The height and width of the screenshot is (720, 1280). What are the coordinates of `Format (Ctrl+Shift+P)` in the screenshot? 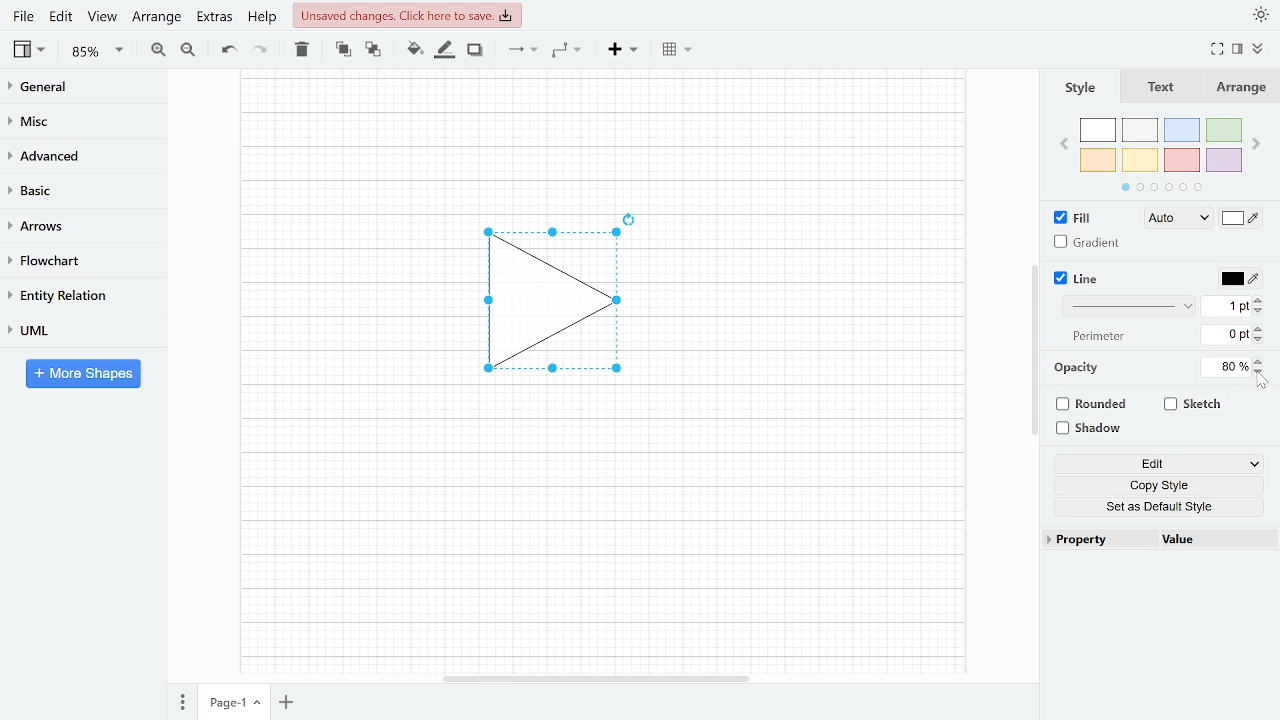 It's located at (1238, 50).